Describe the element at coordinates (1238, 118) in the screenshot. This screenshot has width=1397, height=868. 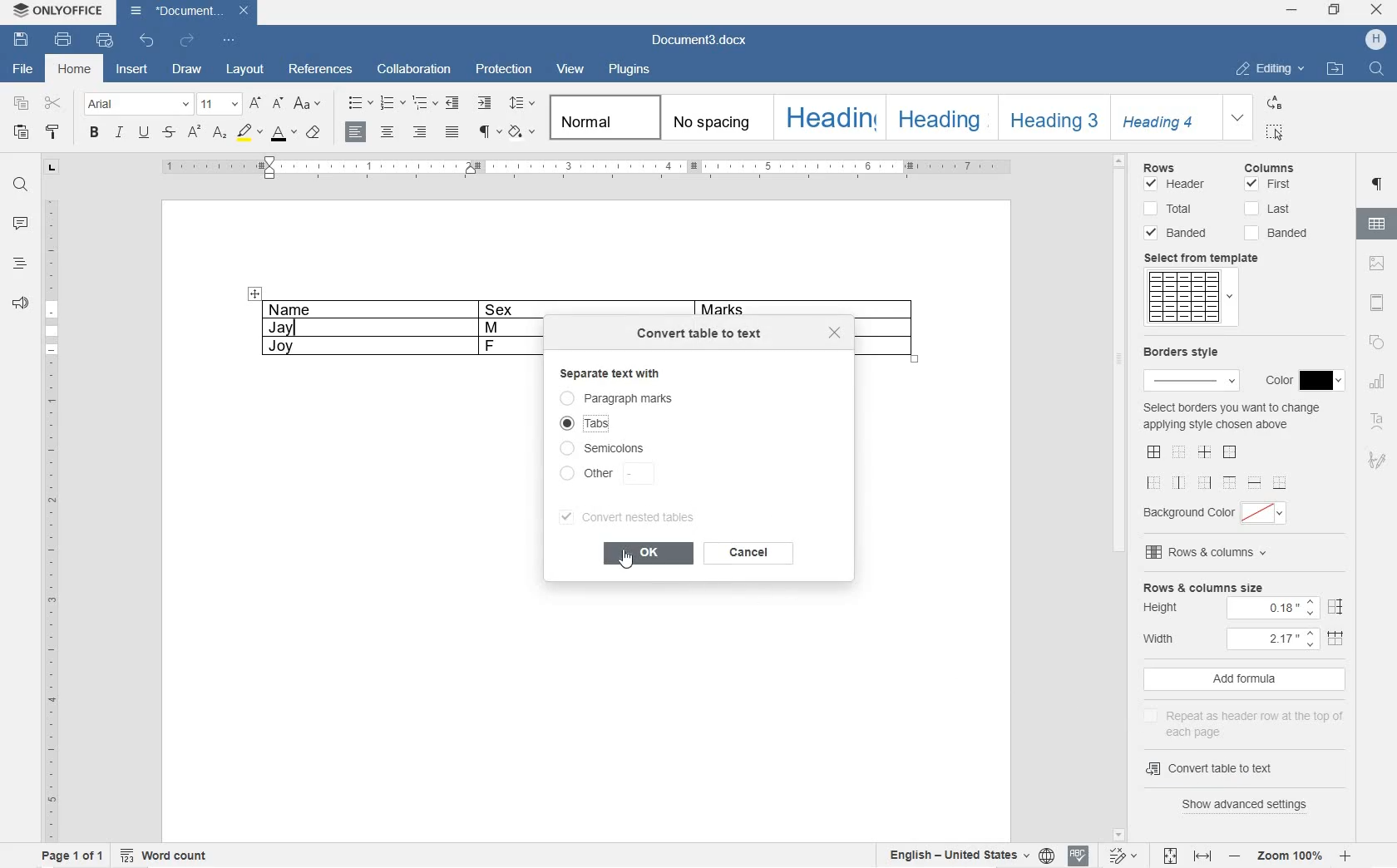
I see `EXPAND FORMATTING STYLE` at that location.